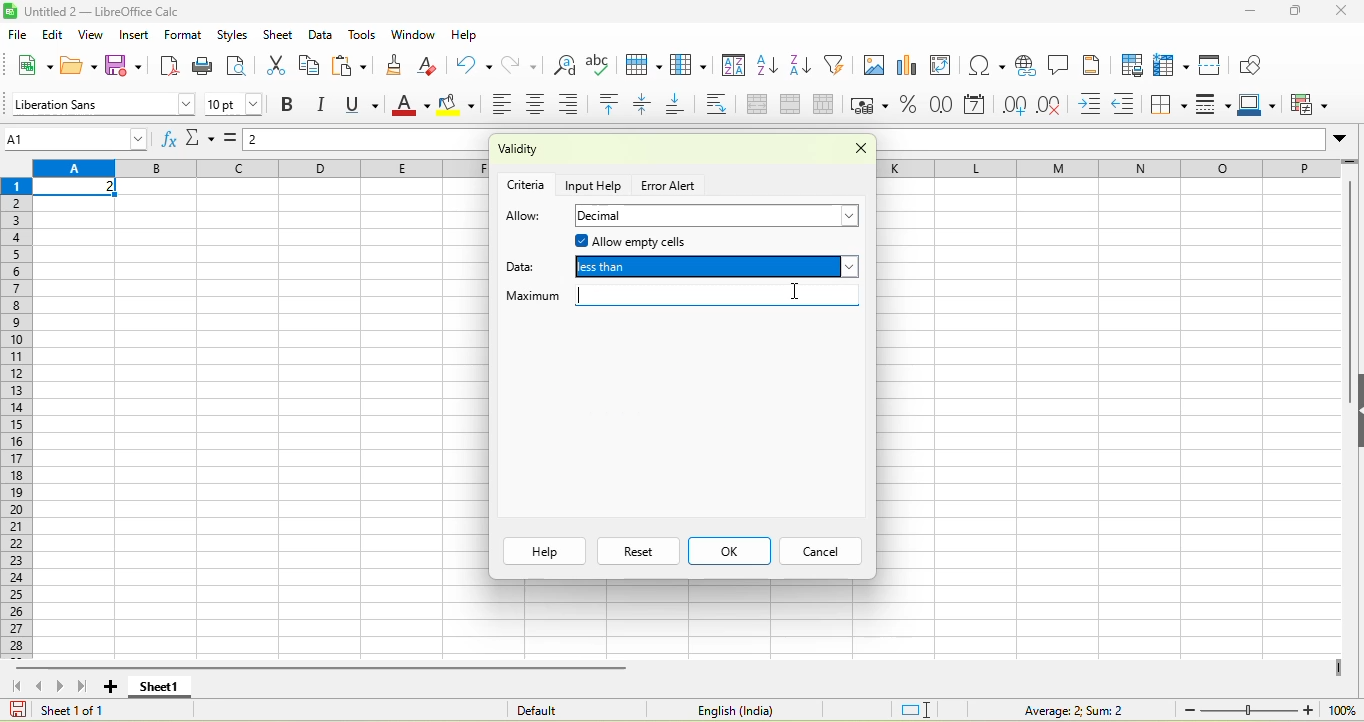  Describe the element at coordinates (19, 417) in the screenshot. I see `rows` at that location.